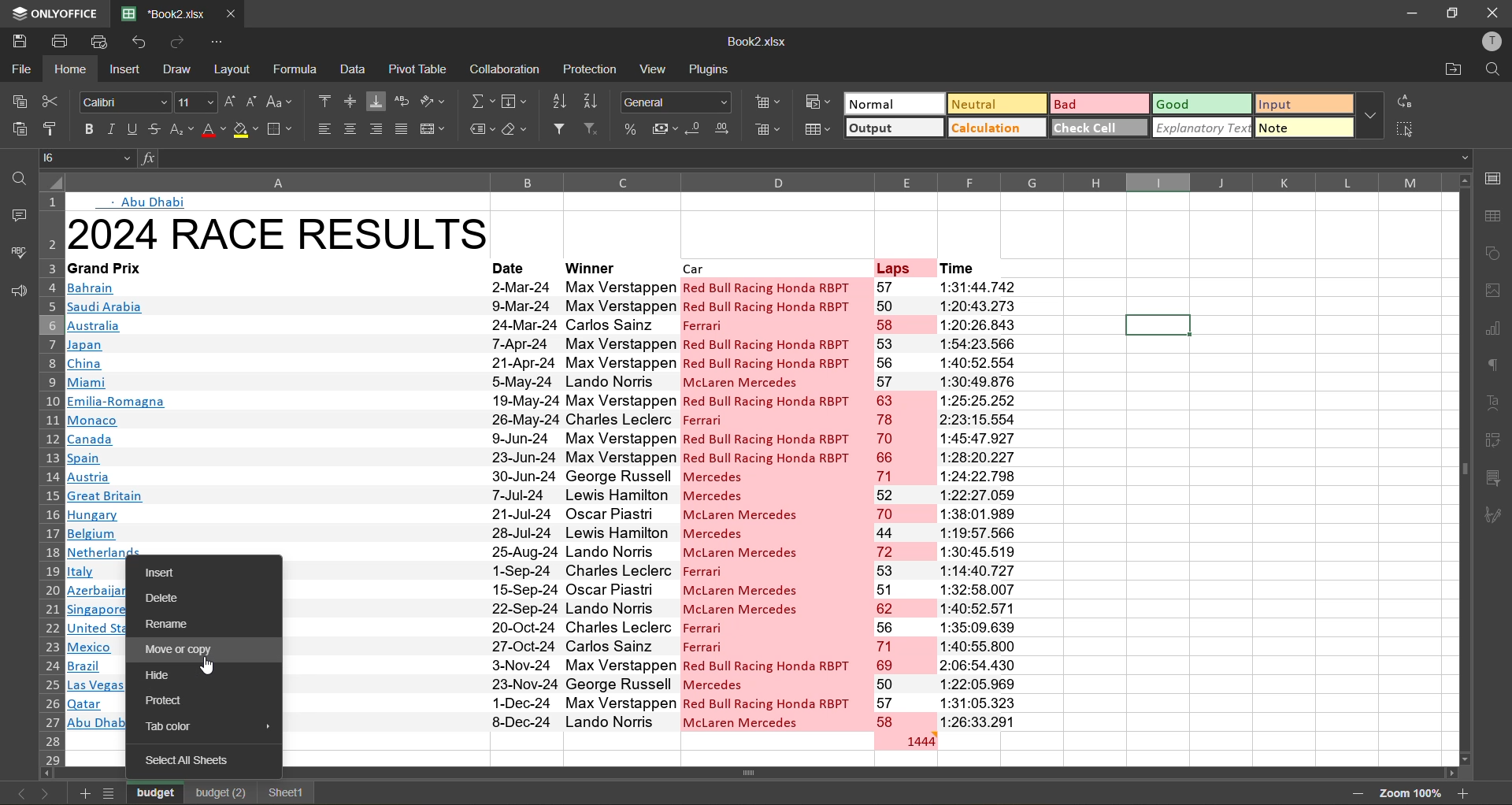  What do you see at coordinates (1352, 793) in the screenshot?
I see `zoom out` at bounding box center [1352, 793].